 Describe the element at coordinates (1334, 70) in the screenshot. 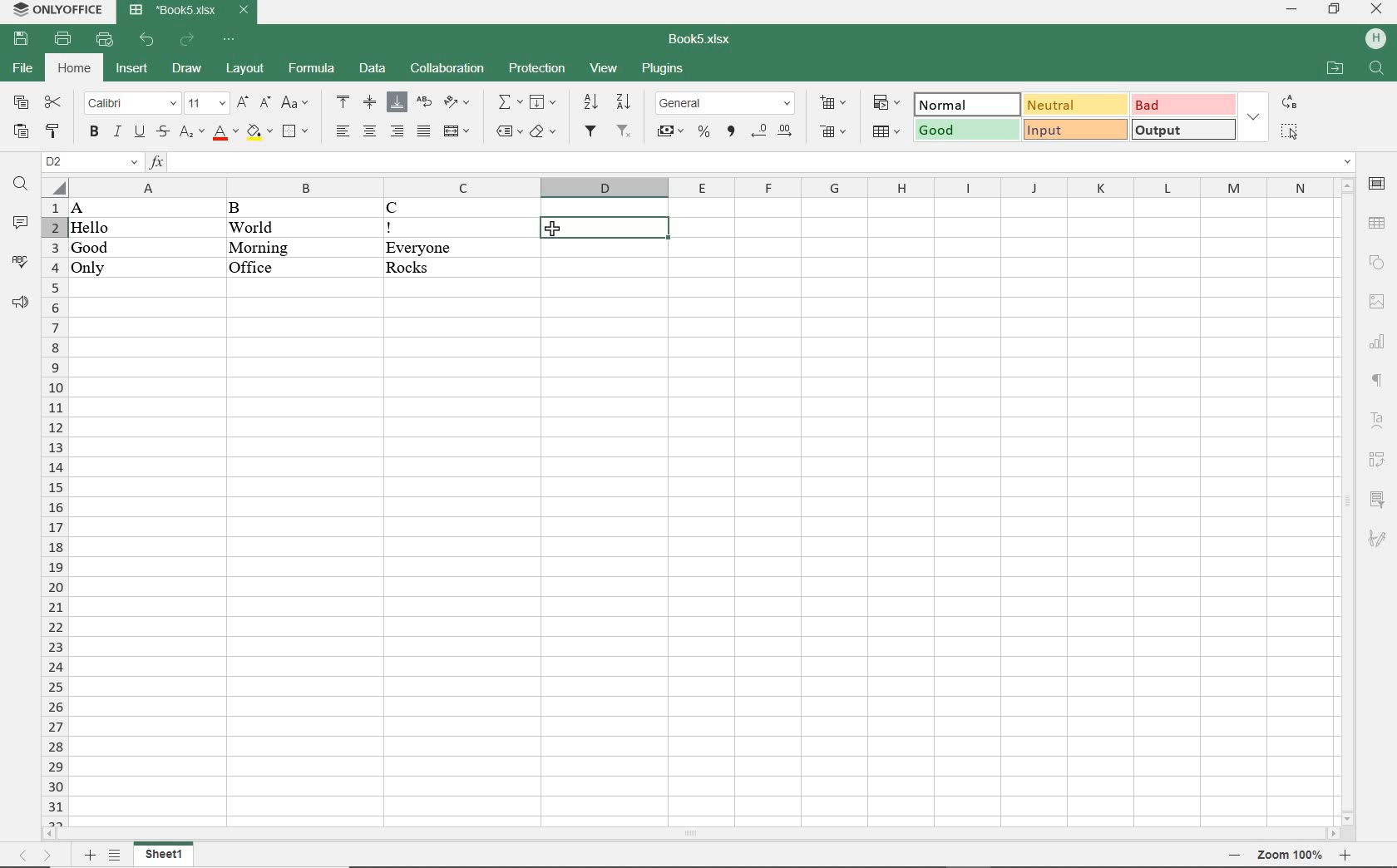

I see `open file location` at that location.